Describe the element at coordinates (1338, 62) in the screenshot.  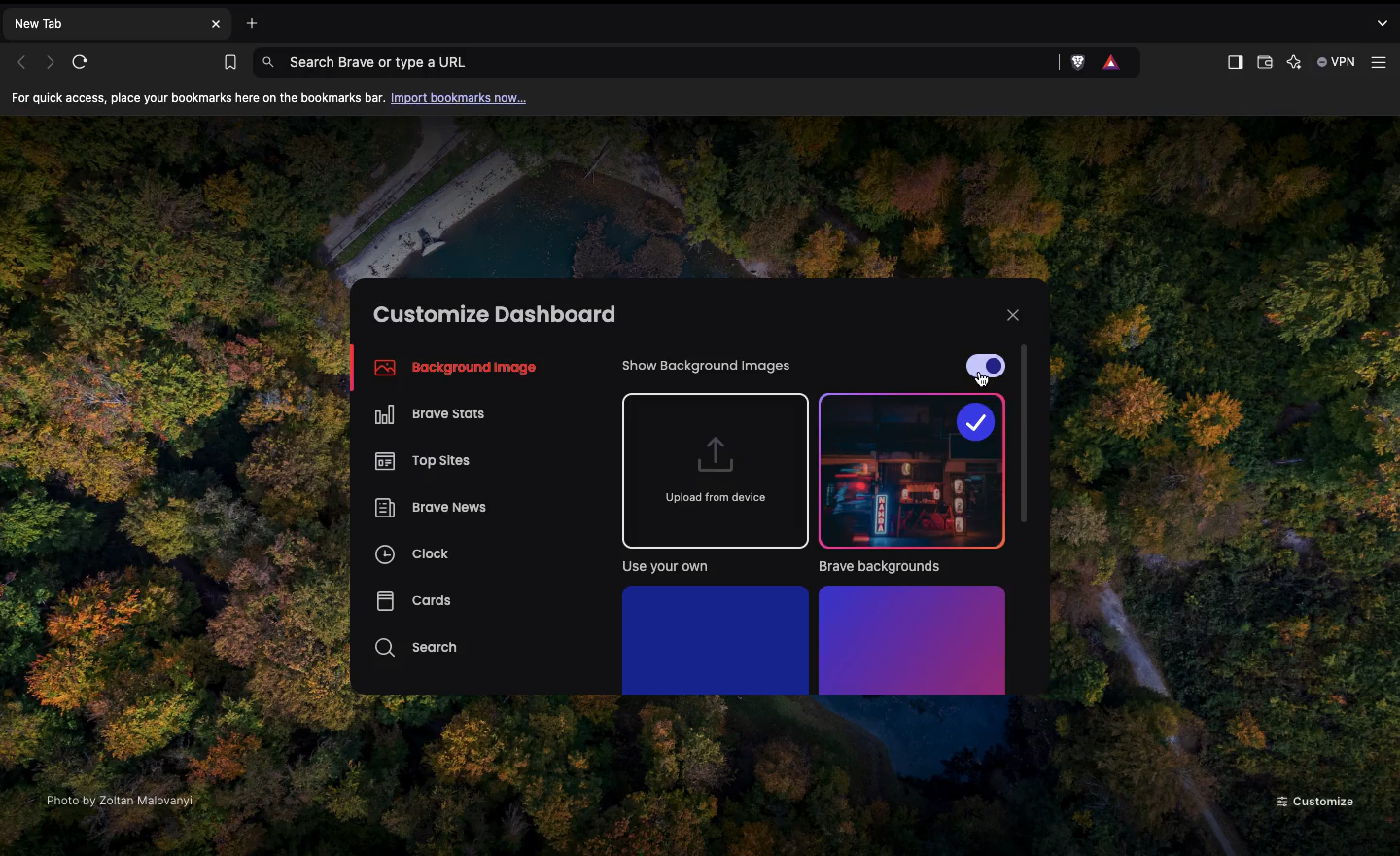
I see `VPN` at that location.